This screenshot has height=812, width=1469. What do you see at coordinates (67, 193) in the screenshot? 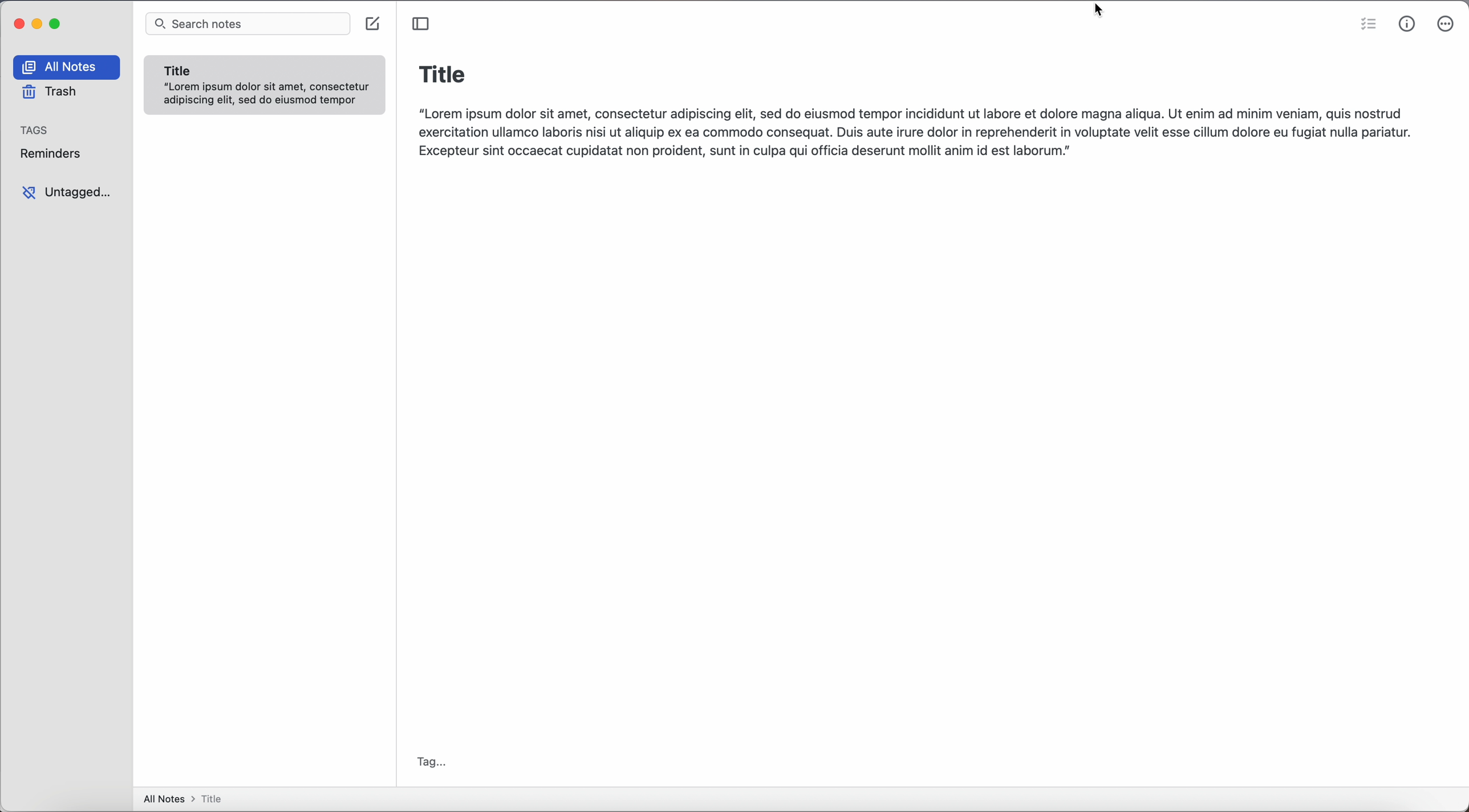
I see `untagged` at bounding box center [67, 193].